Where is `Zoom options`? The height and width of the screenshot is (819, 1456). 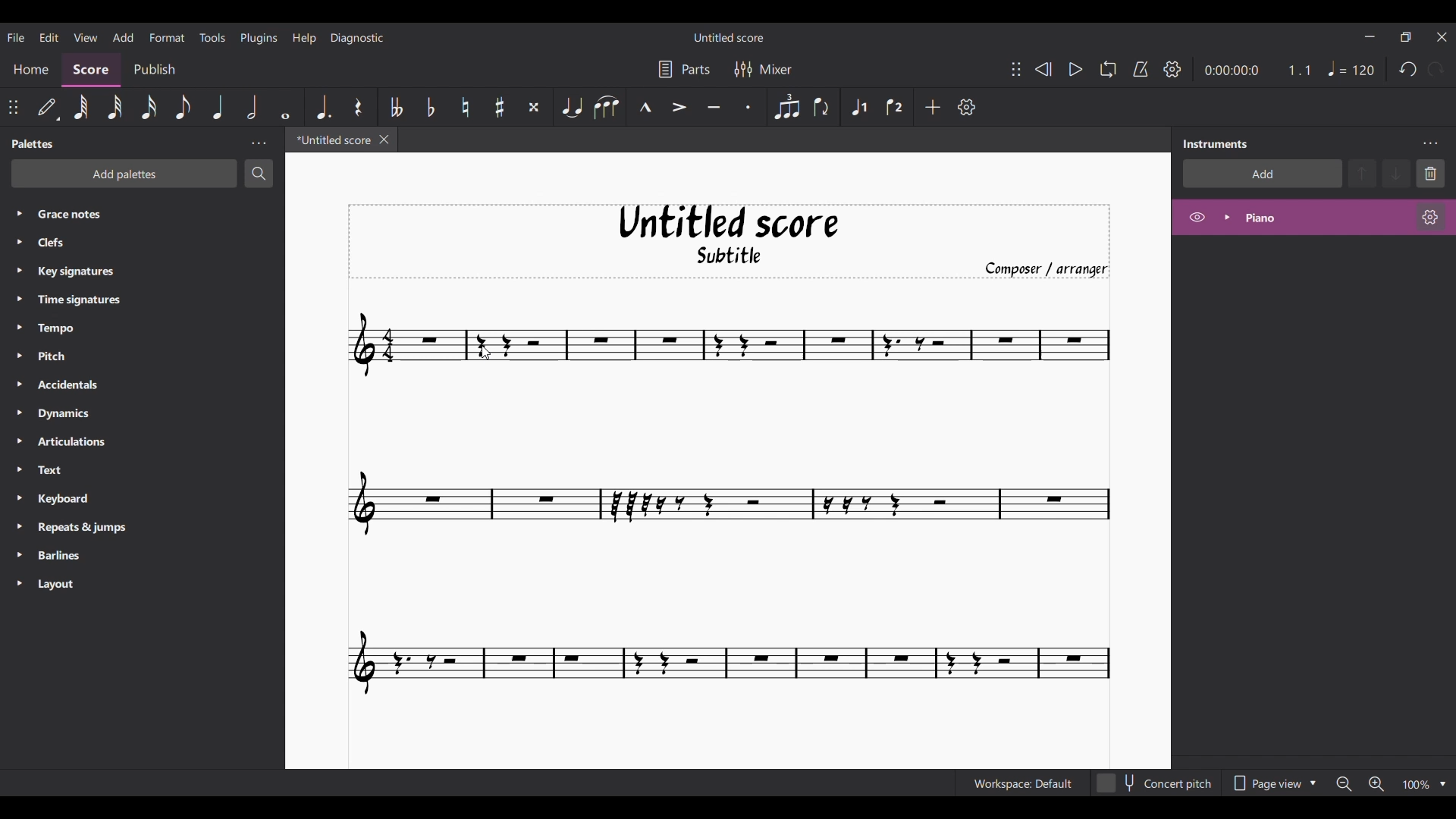
Zoom options is located at coordinates (1443, 785).